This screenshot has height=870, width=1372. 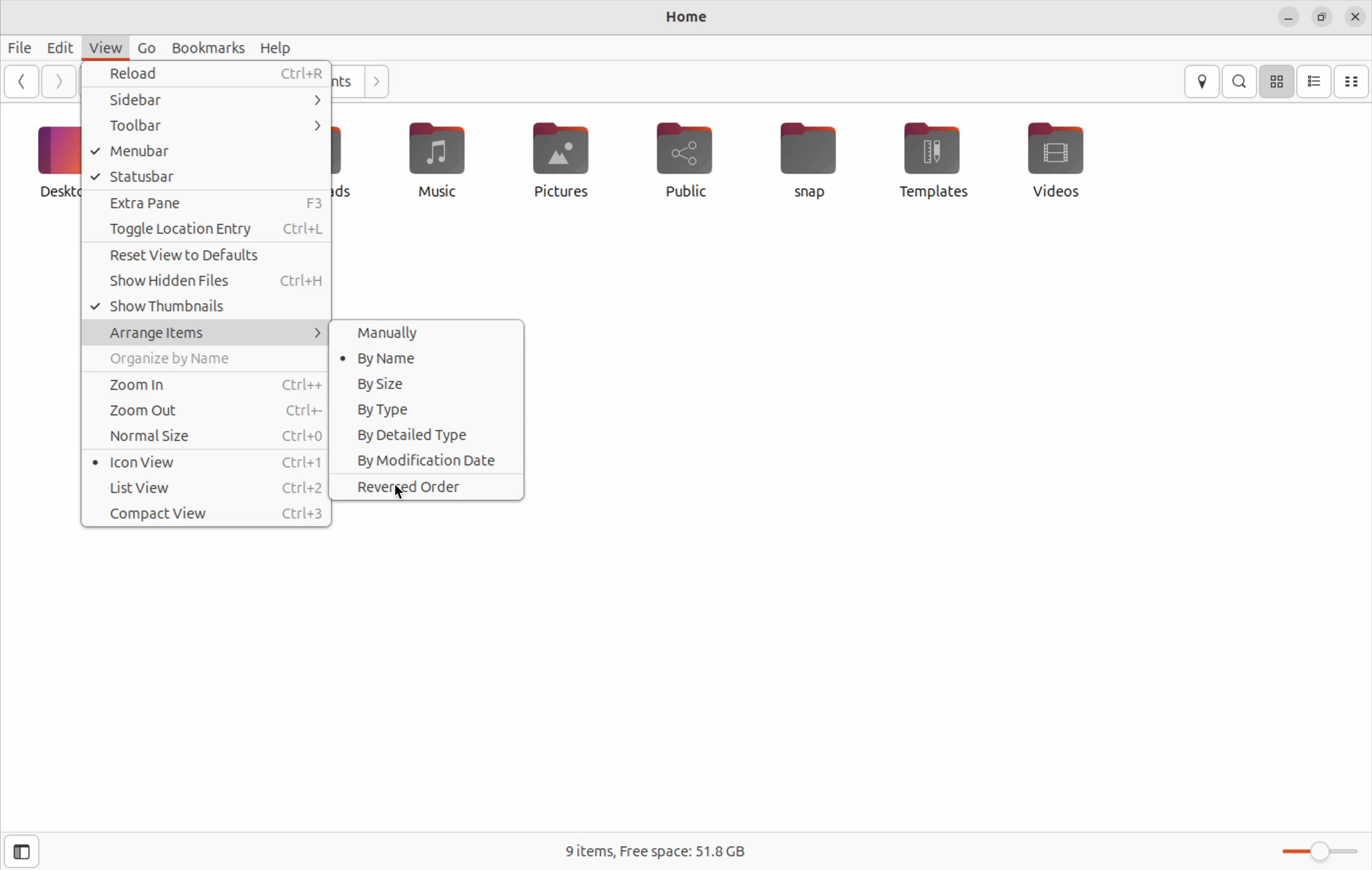 I want to click on by type, so click(x=426, y=410).